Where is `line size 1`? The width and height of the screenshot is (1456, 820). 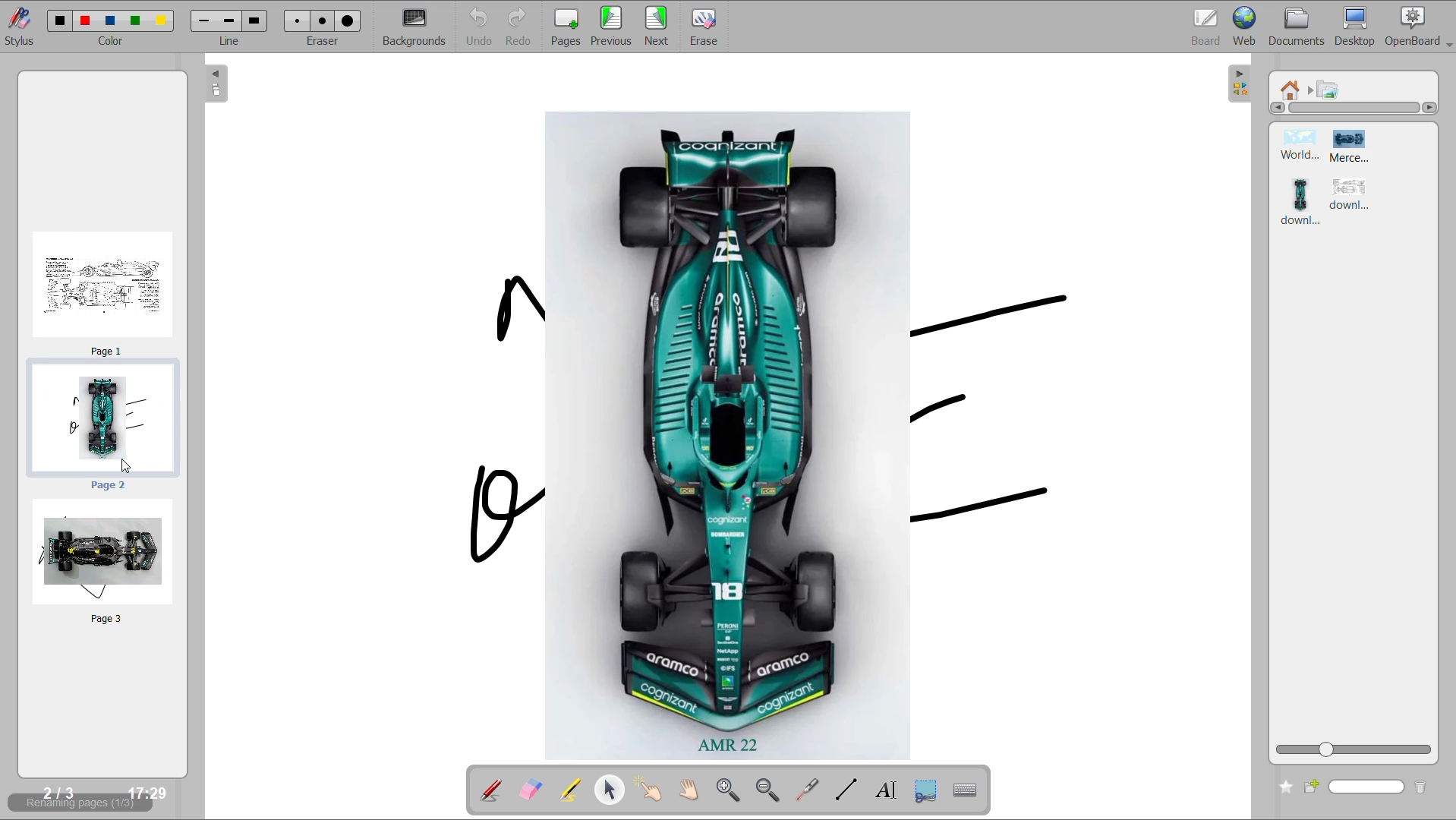
line size 1 is located at coordinates (205, 21).